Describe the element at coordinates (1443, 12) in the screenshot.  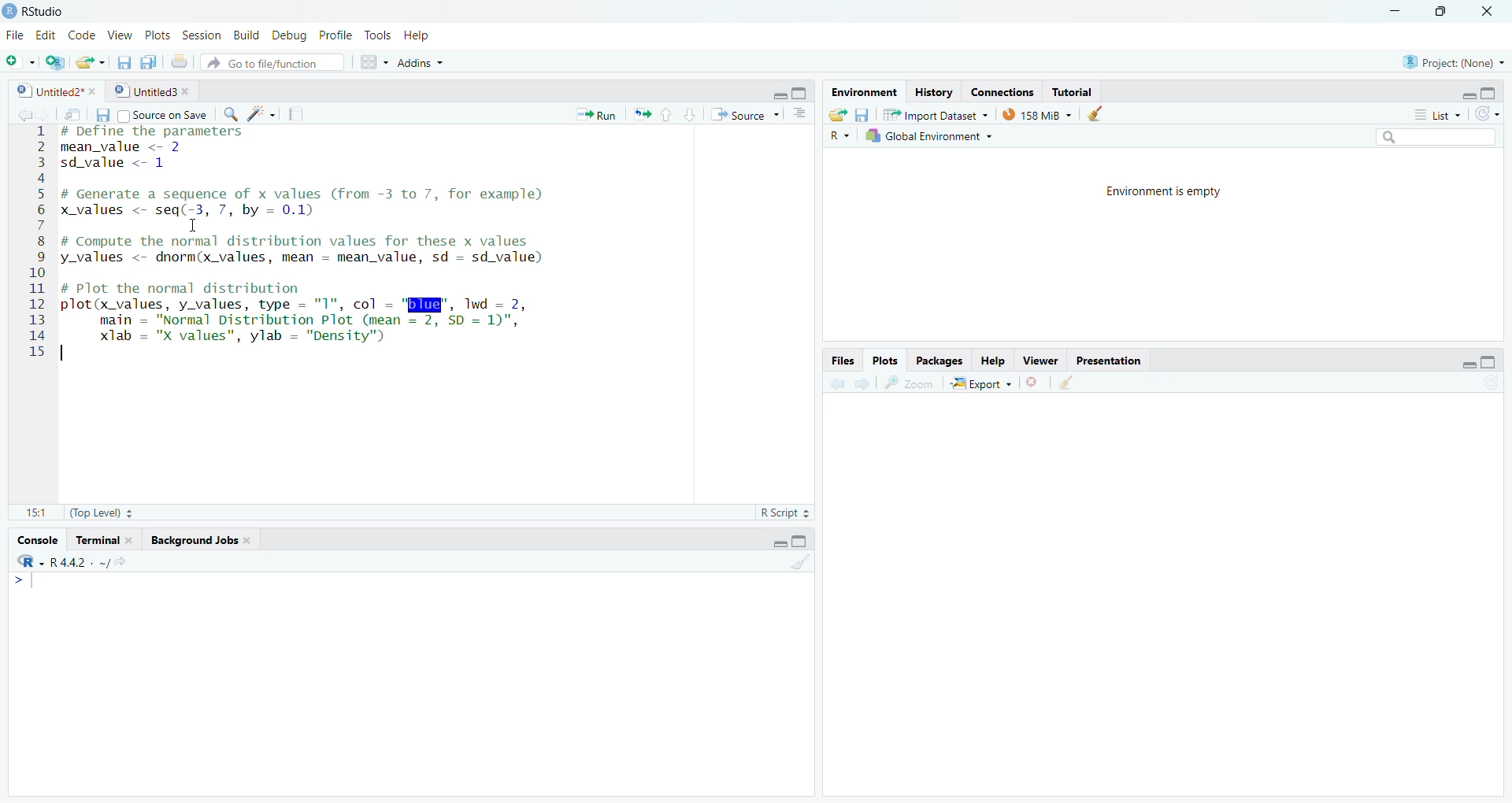
I see `maximize` at that location.